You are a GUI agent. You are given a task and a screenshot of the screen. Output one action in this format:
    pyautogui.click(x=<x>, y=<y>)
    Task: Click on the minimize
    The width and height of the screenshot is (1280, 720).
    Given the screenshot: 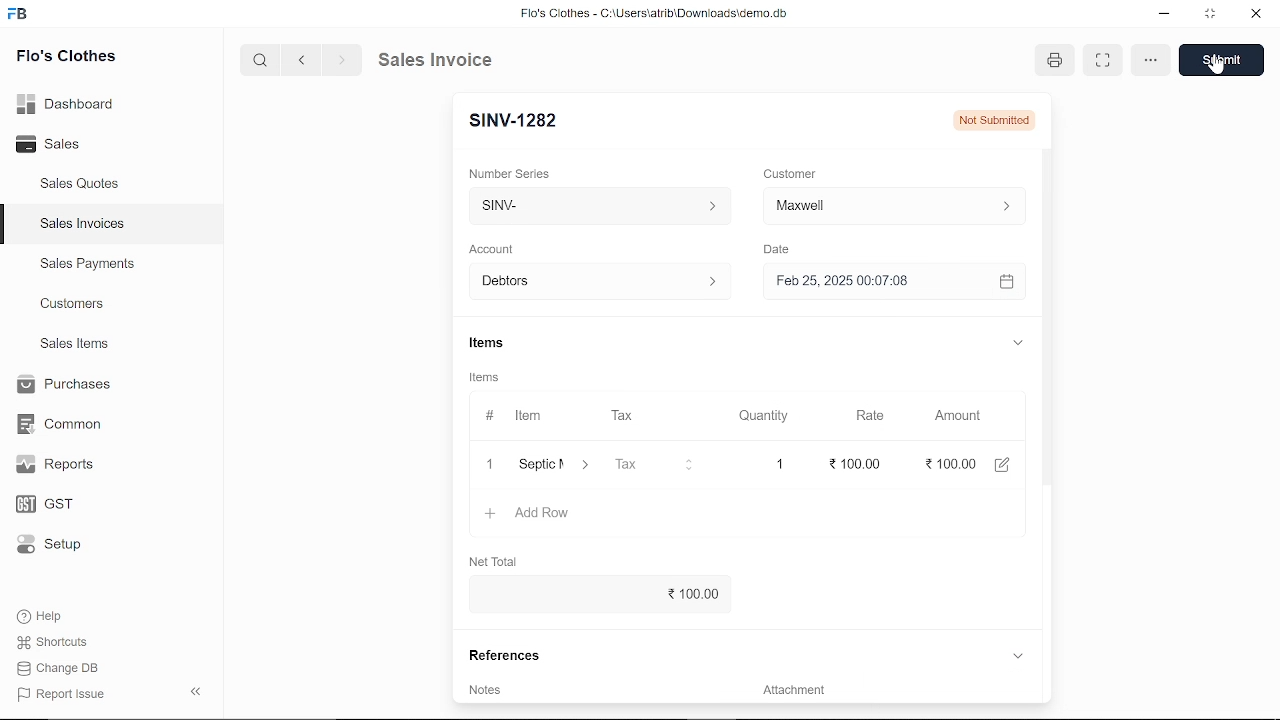 What is the action you would take?
    pyautogui.click(x=1160, y=14)
    